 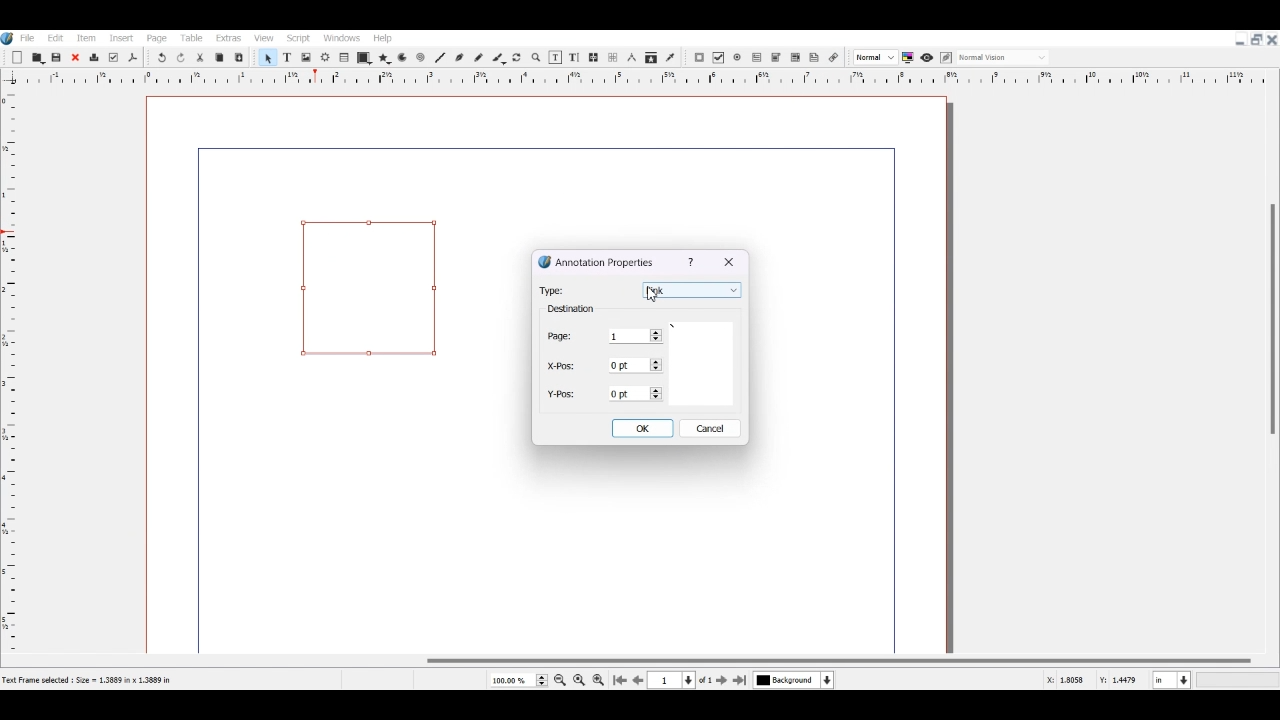 I want to click on Edit in preview mode, so click(x=946, y=58).